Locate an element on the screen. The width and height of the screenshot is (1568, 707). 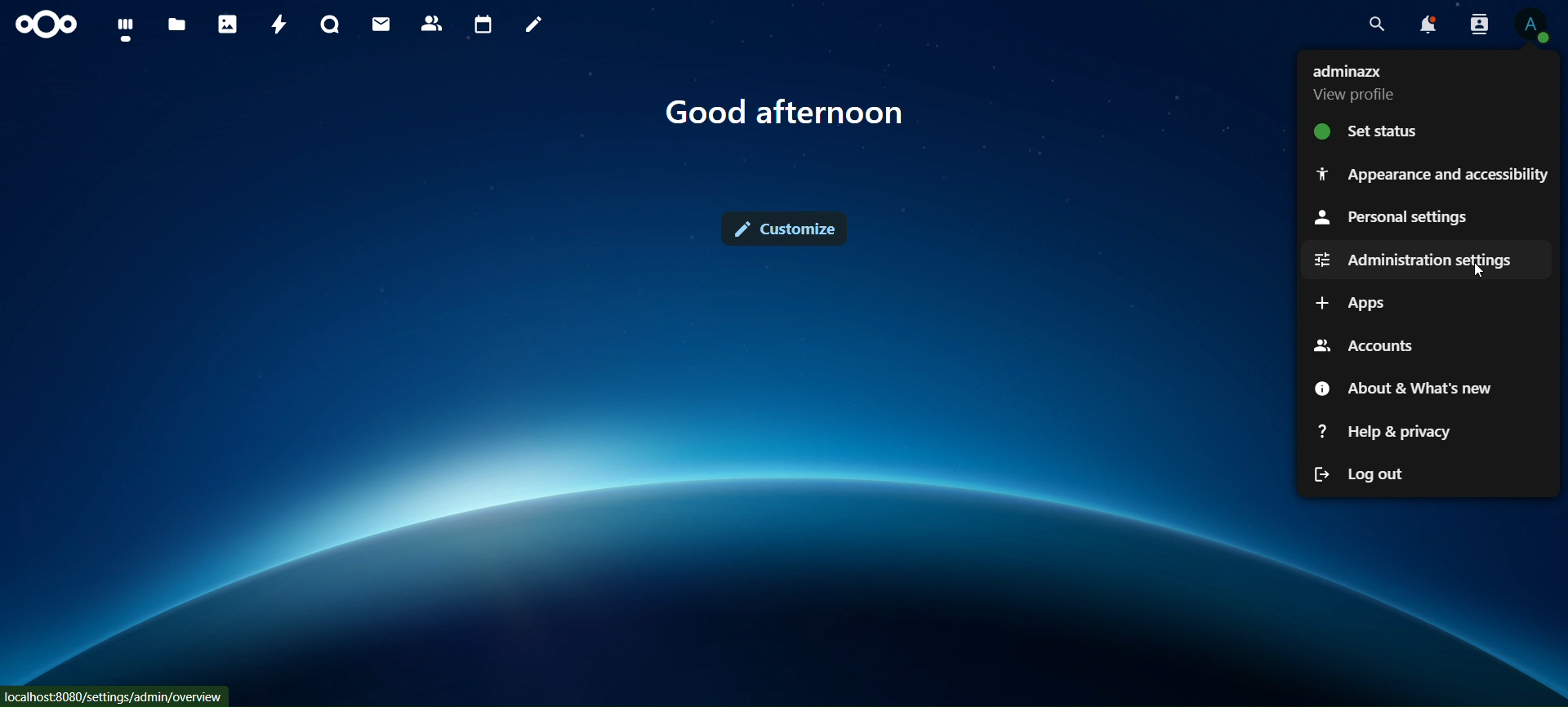
customize is located at coordinates (787, 231).